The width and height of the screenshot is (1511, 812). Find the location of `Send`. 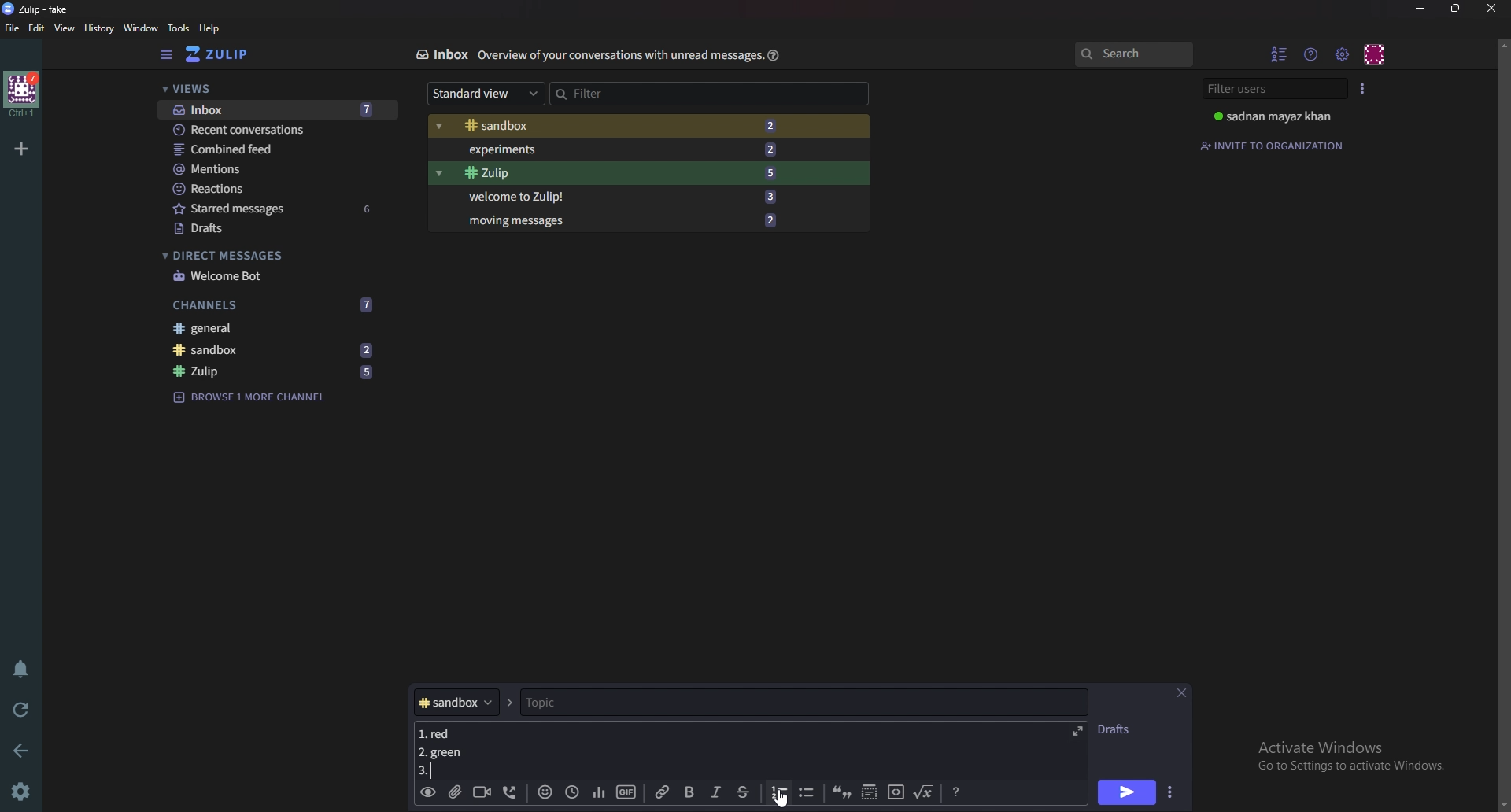

Send is located at coordinates (1127, 792).